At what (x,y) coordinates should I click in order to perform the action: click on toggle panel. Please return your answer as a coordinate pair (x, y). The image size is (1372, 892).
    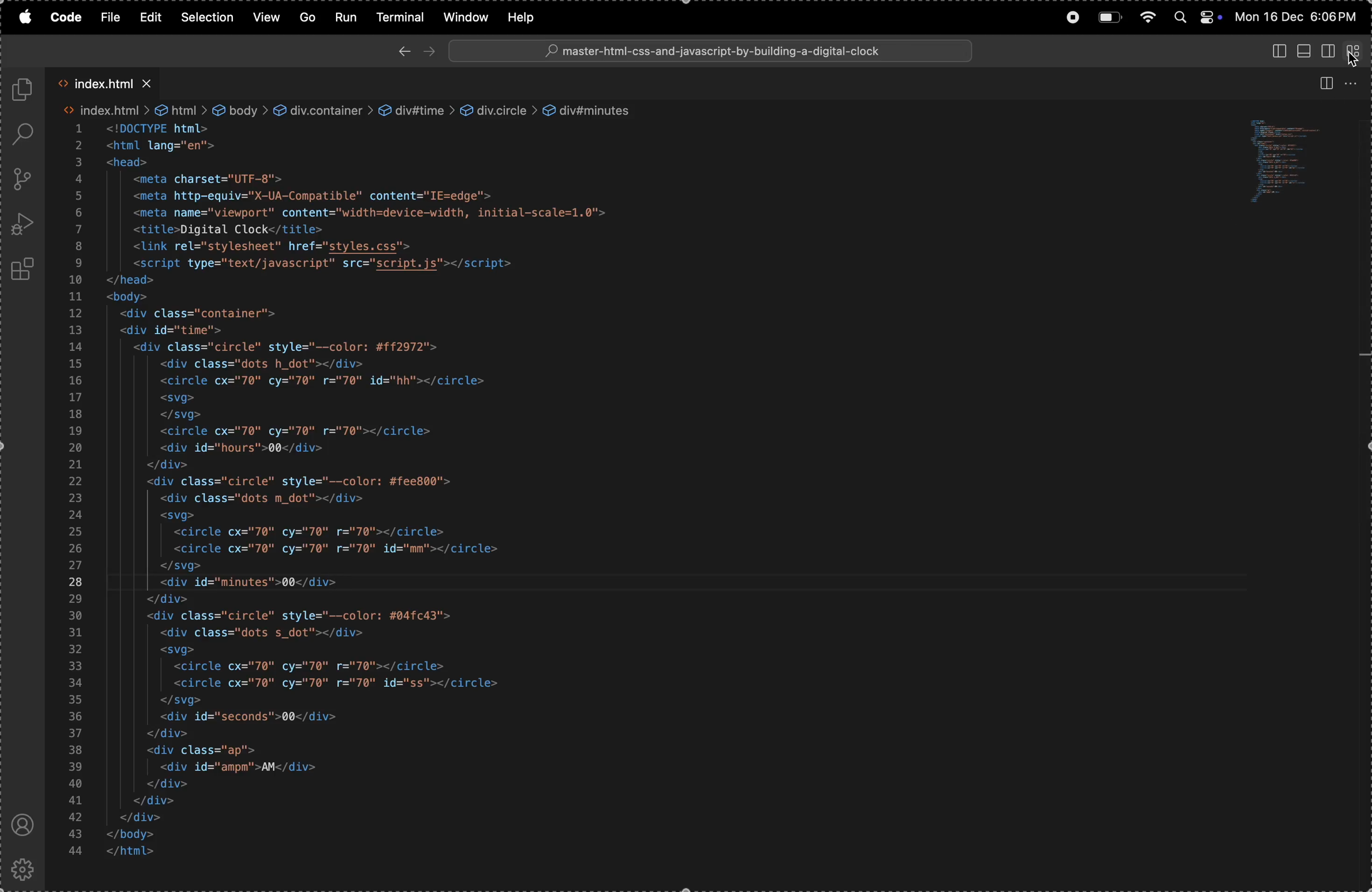
    Looking at the image, I should click on (1303, 51).